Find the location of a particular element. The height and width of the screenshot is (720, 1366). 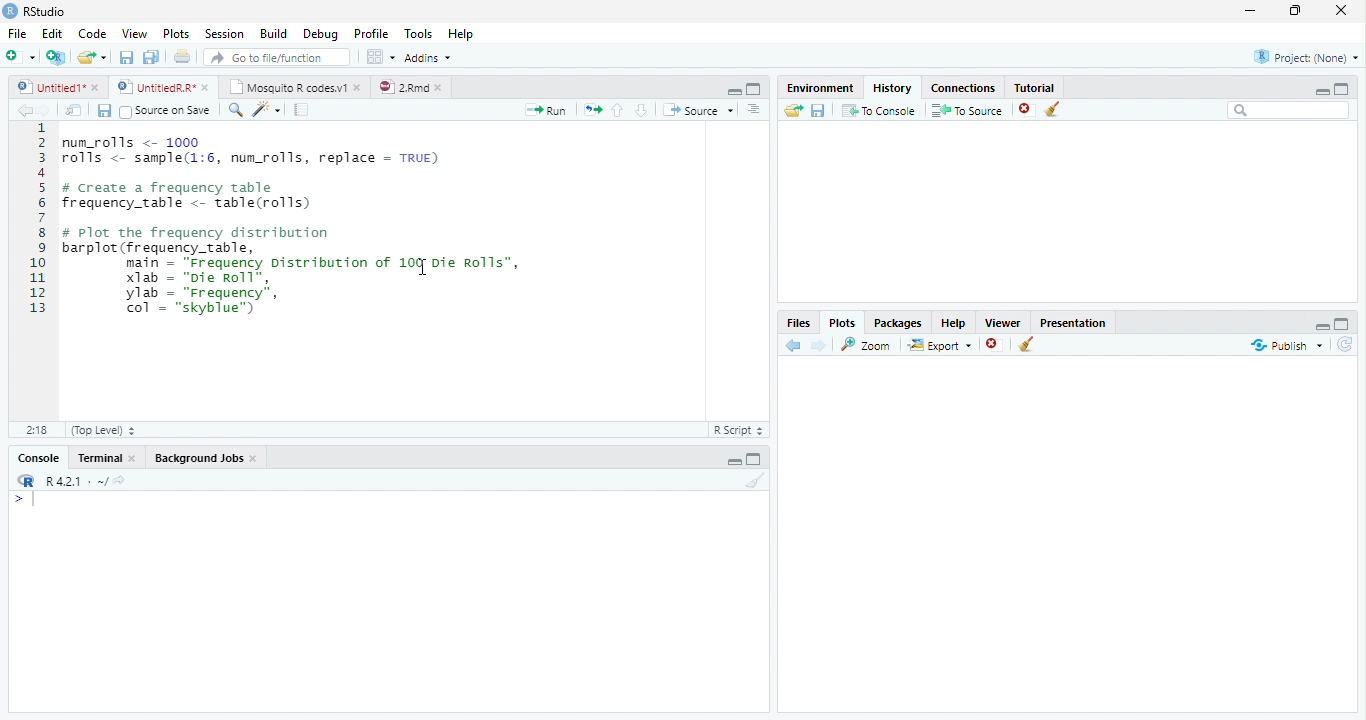

Export is located at coordinates (939, 346).